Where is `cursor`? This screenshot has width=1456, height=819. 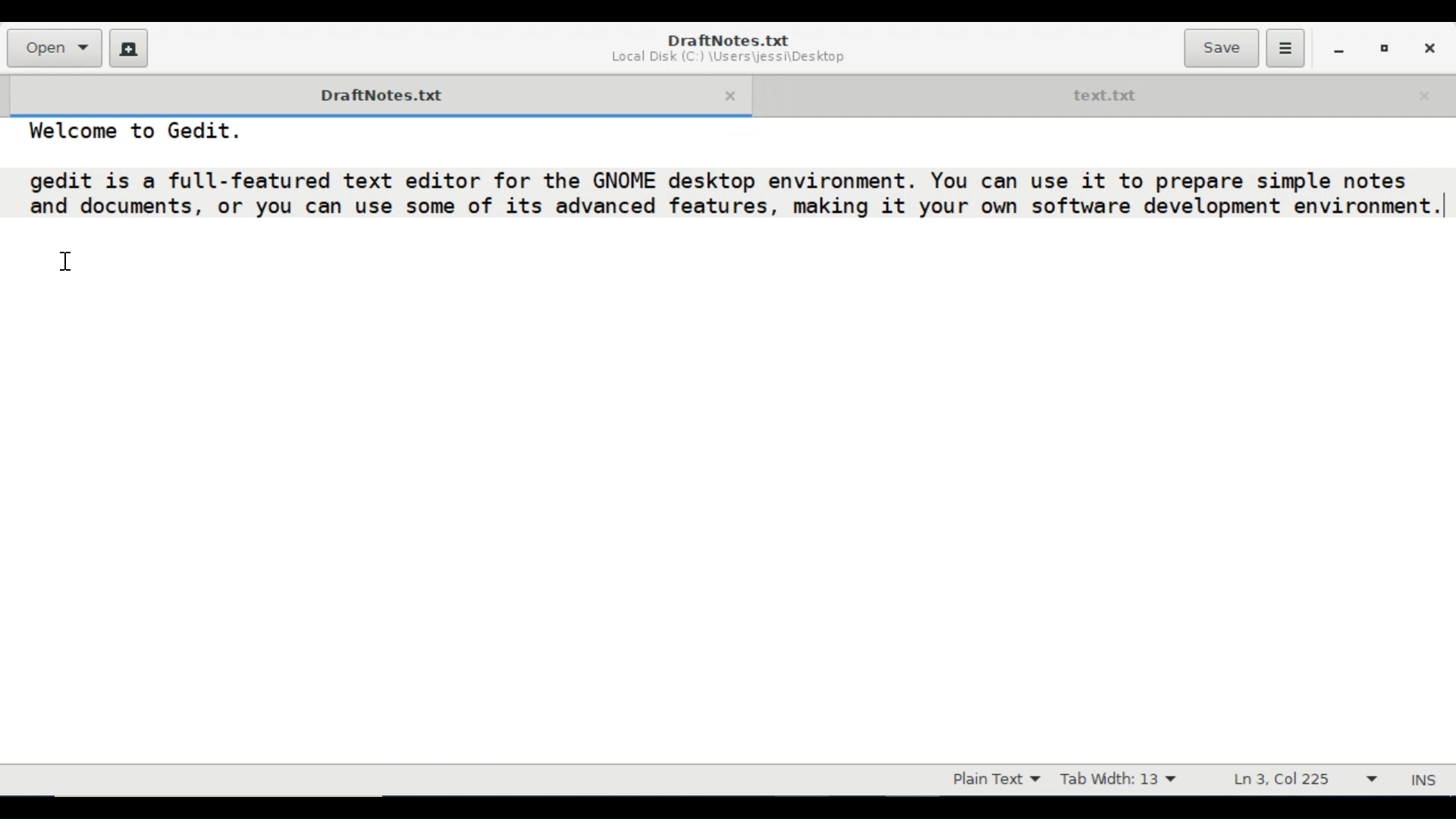 cursor is located at coordinates (66, 262).